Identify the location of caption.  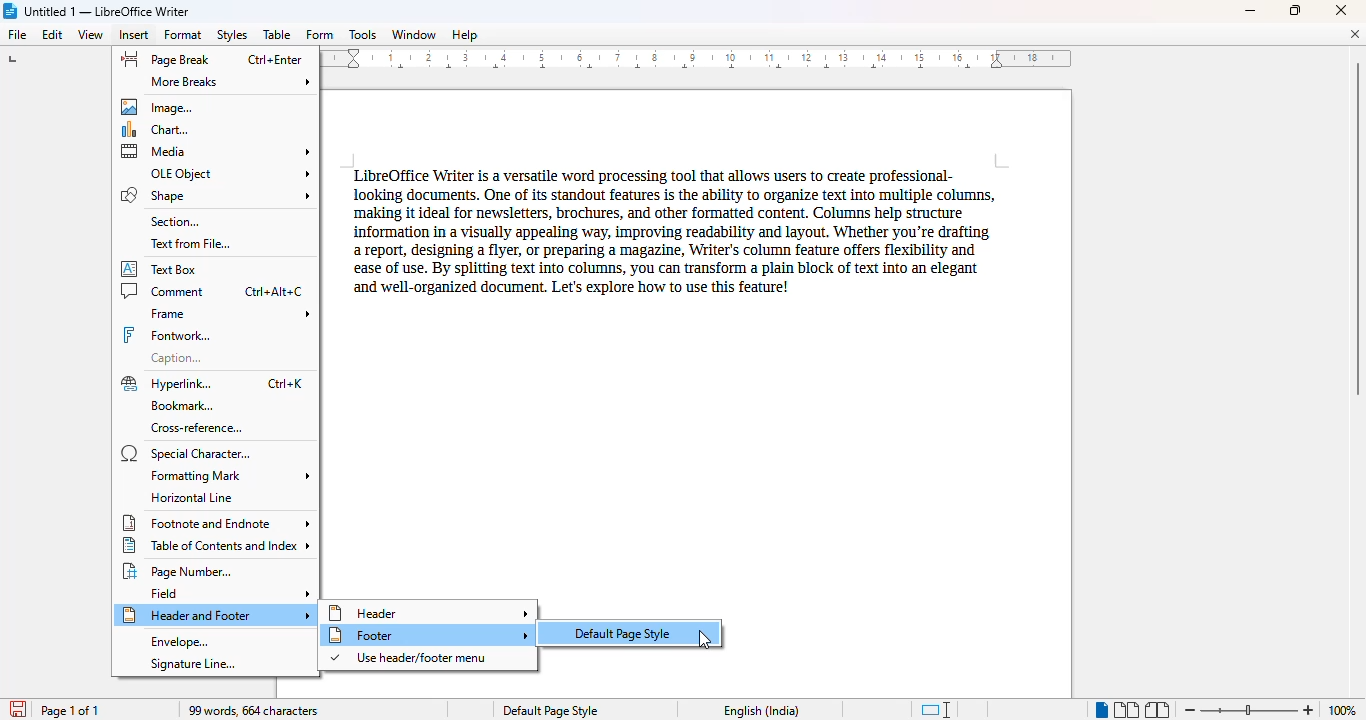
(181, 357).